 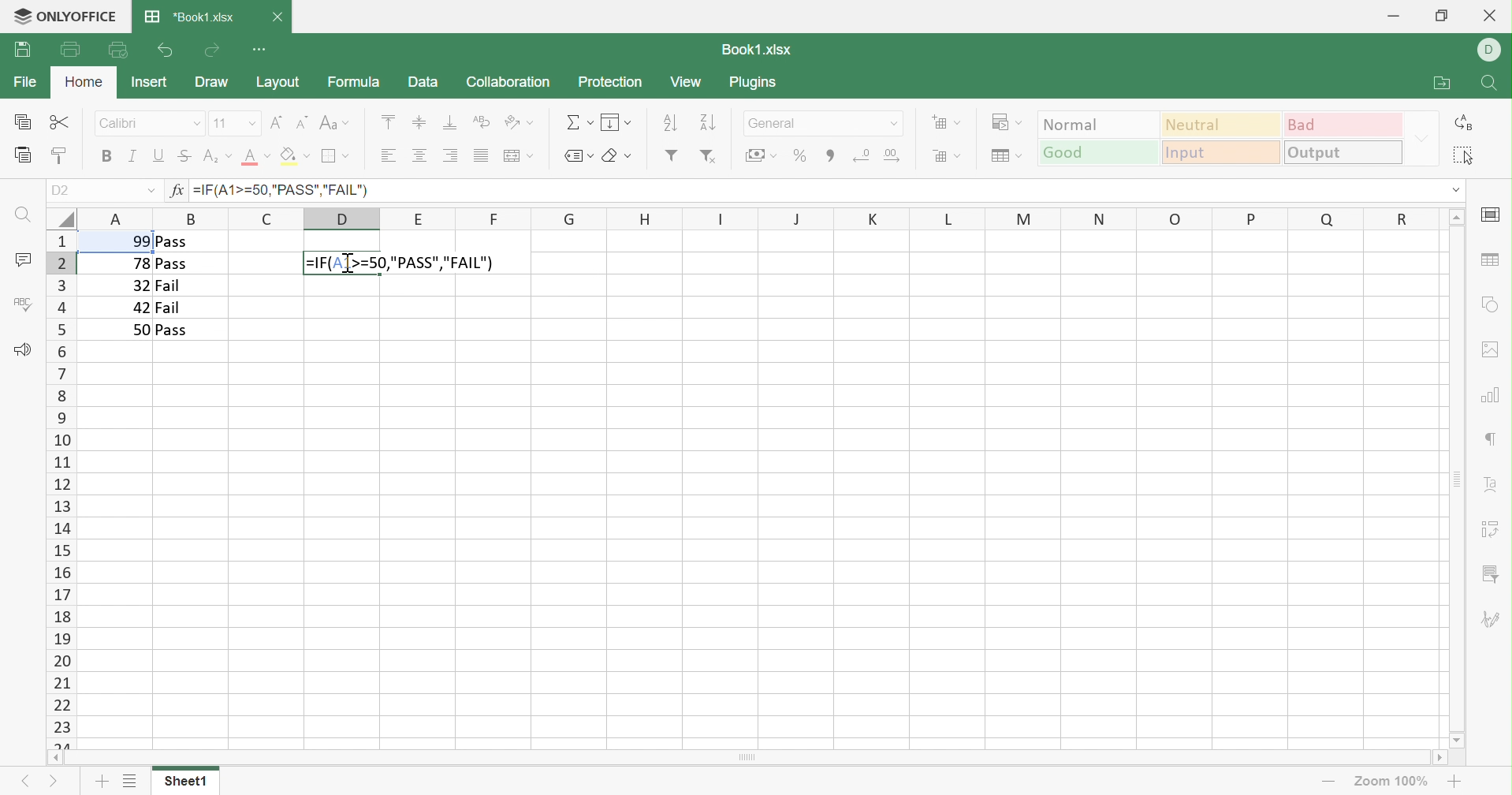 I want to click on Paragraph settings, so click(x=1495, y=438).